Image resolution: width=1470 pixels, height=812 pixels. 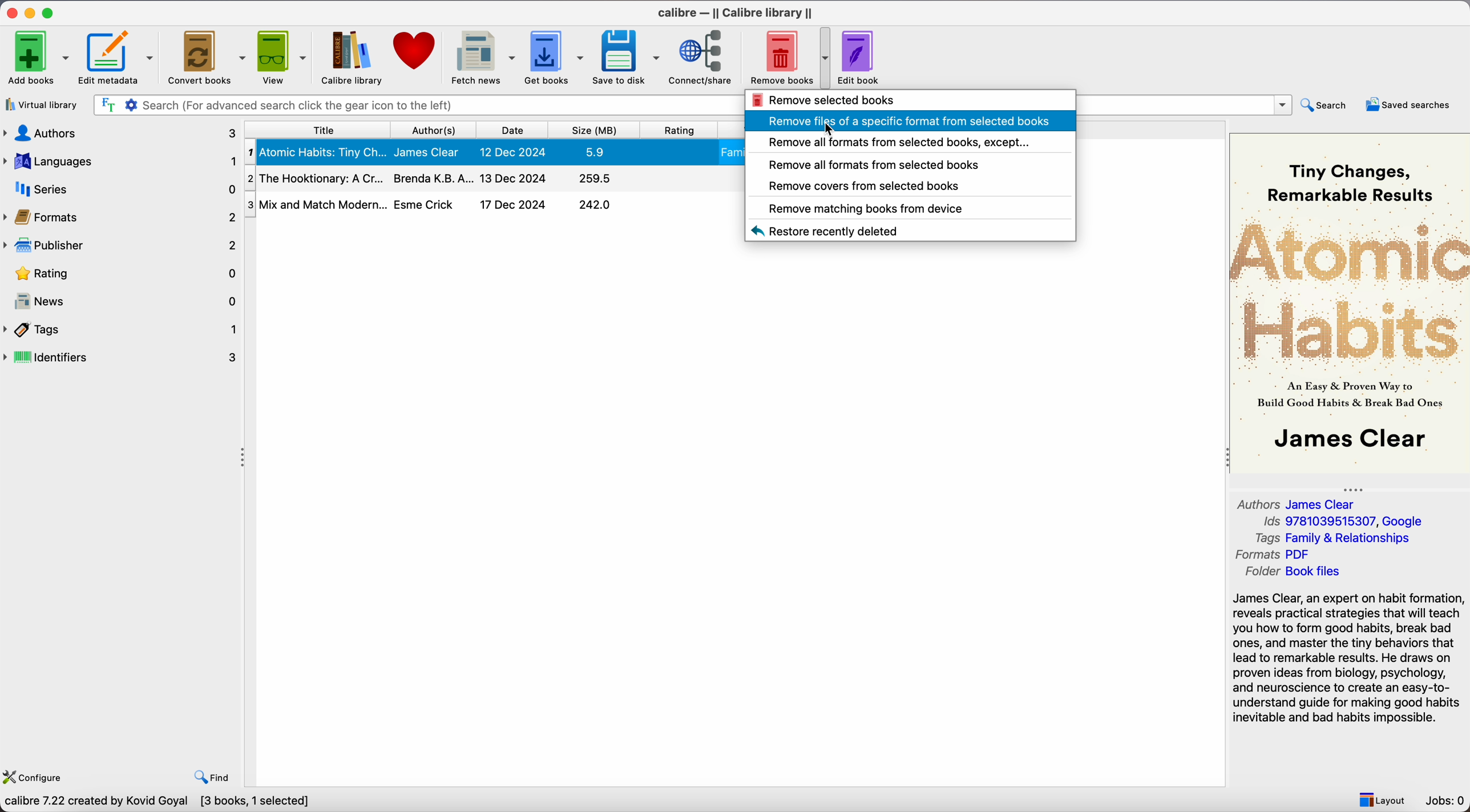 I want to click on convert books, so click(x=205, y=57).